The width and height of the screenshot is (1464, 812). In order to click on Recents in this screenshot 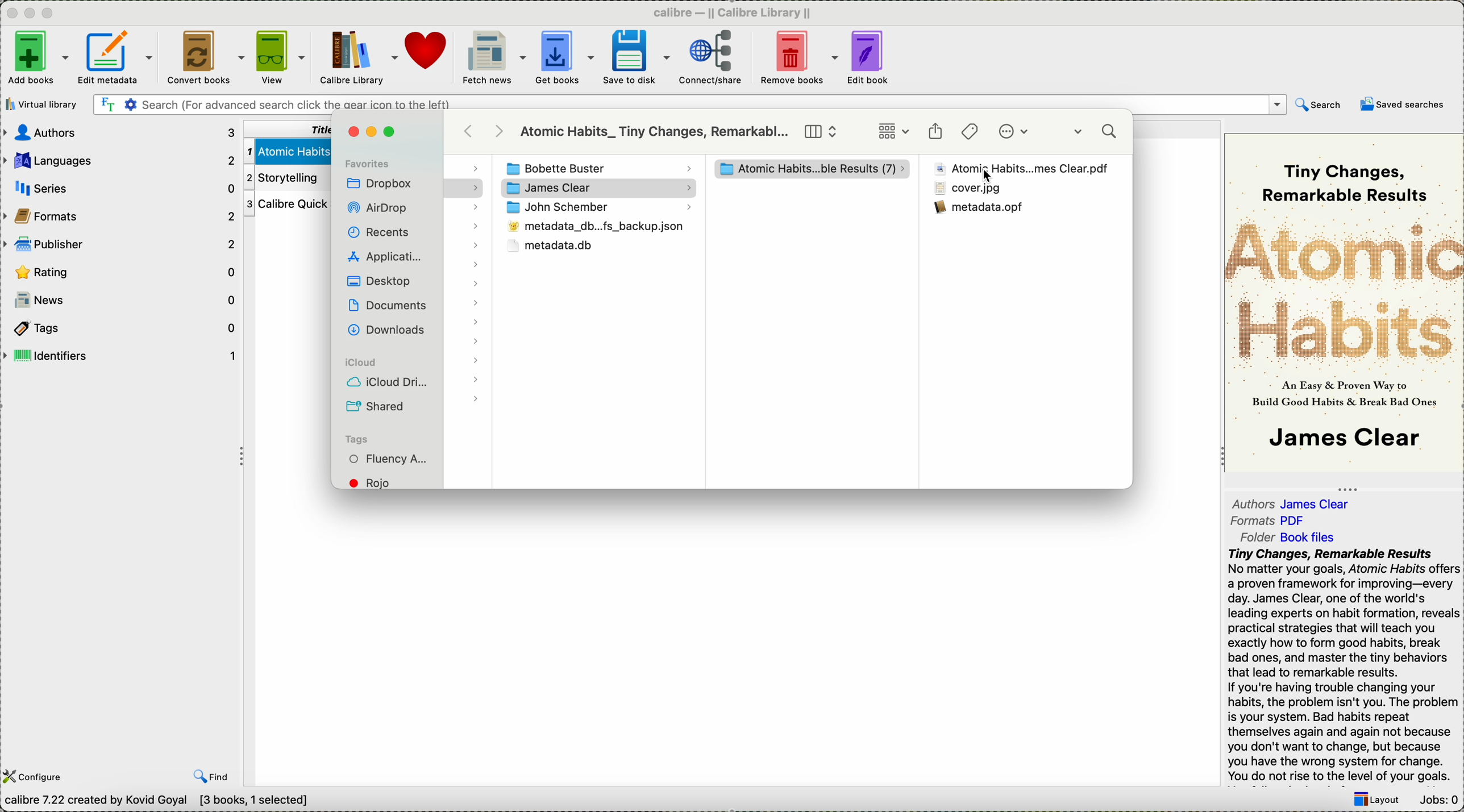, I will do `click(377, 232)`.